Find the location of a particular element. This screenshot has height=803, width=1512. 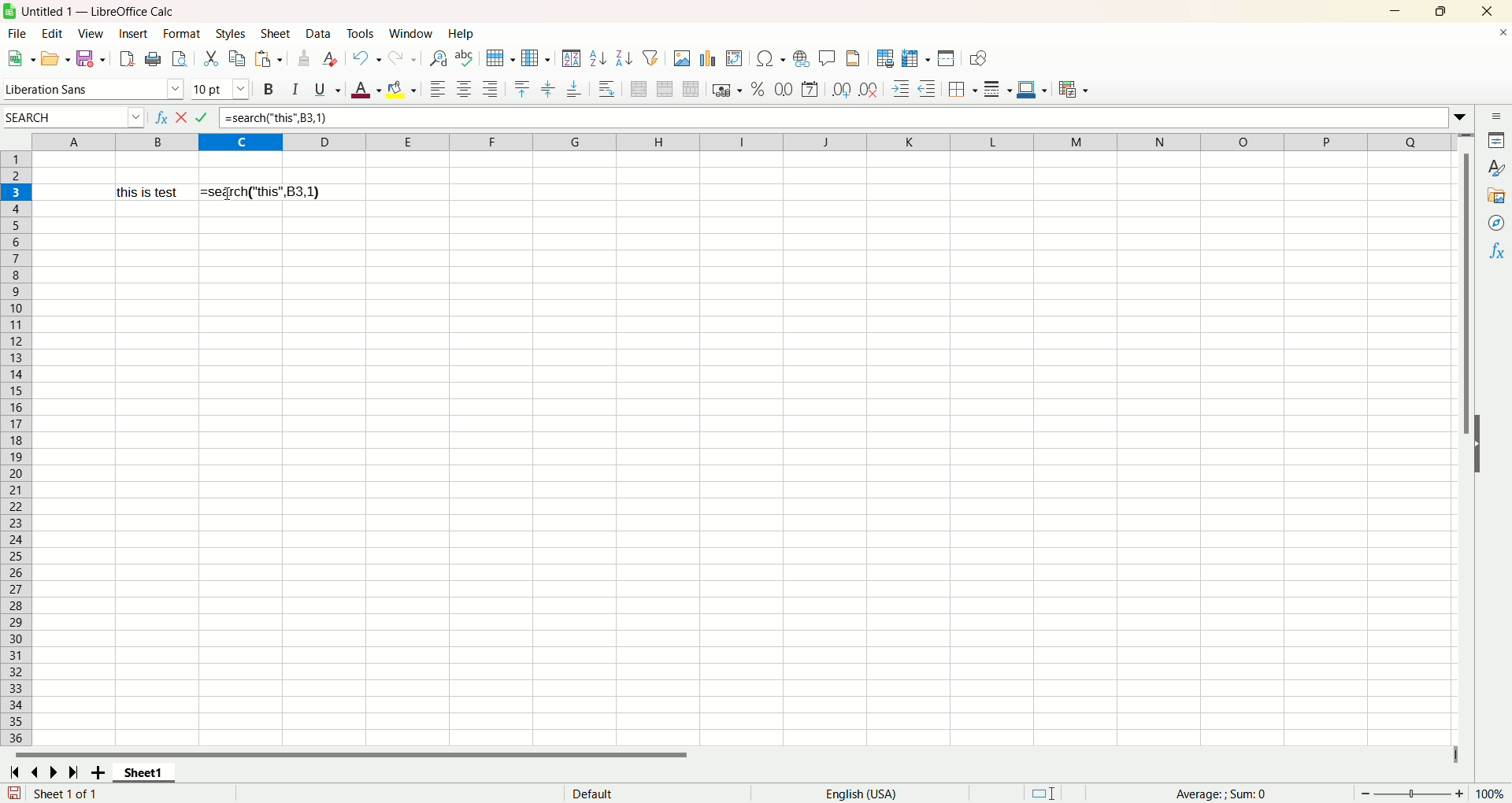

borders is located at coordinates (964, 87).